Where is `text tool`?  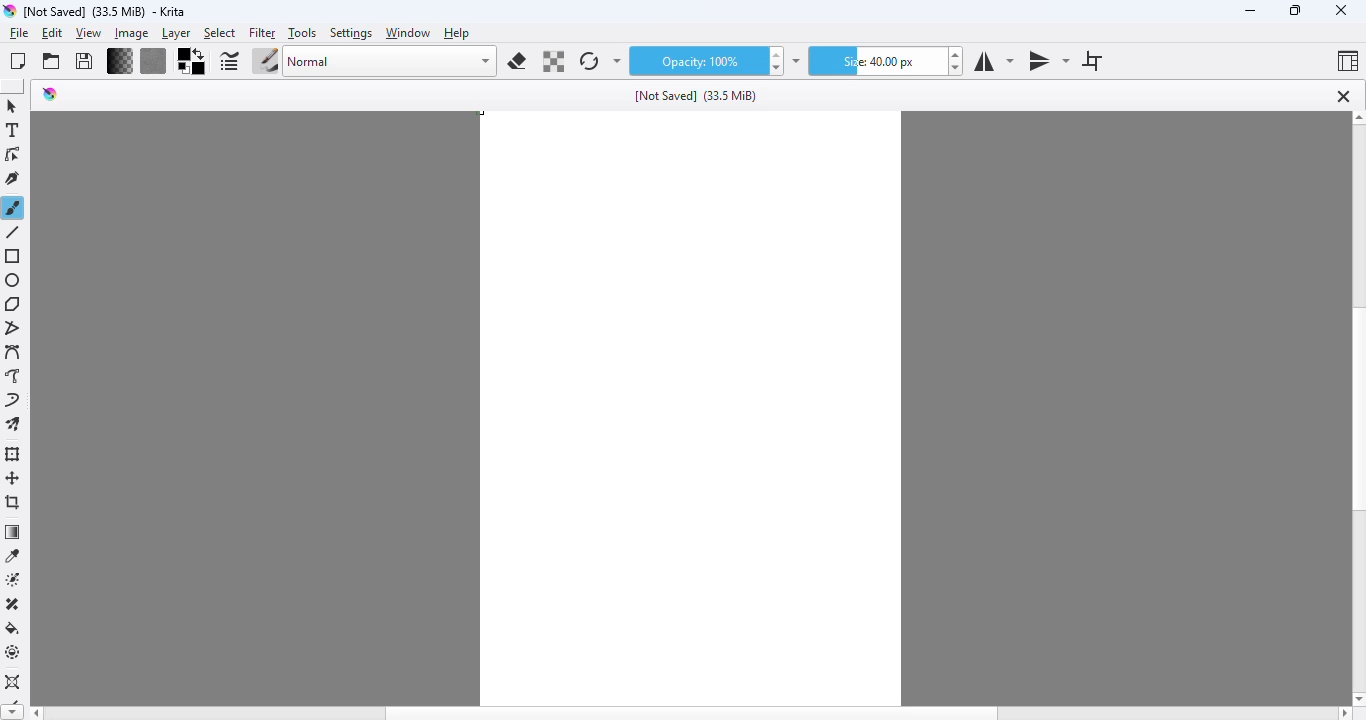 text tool is located at coordinates (13, 130).